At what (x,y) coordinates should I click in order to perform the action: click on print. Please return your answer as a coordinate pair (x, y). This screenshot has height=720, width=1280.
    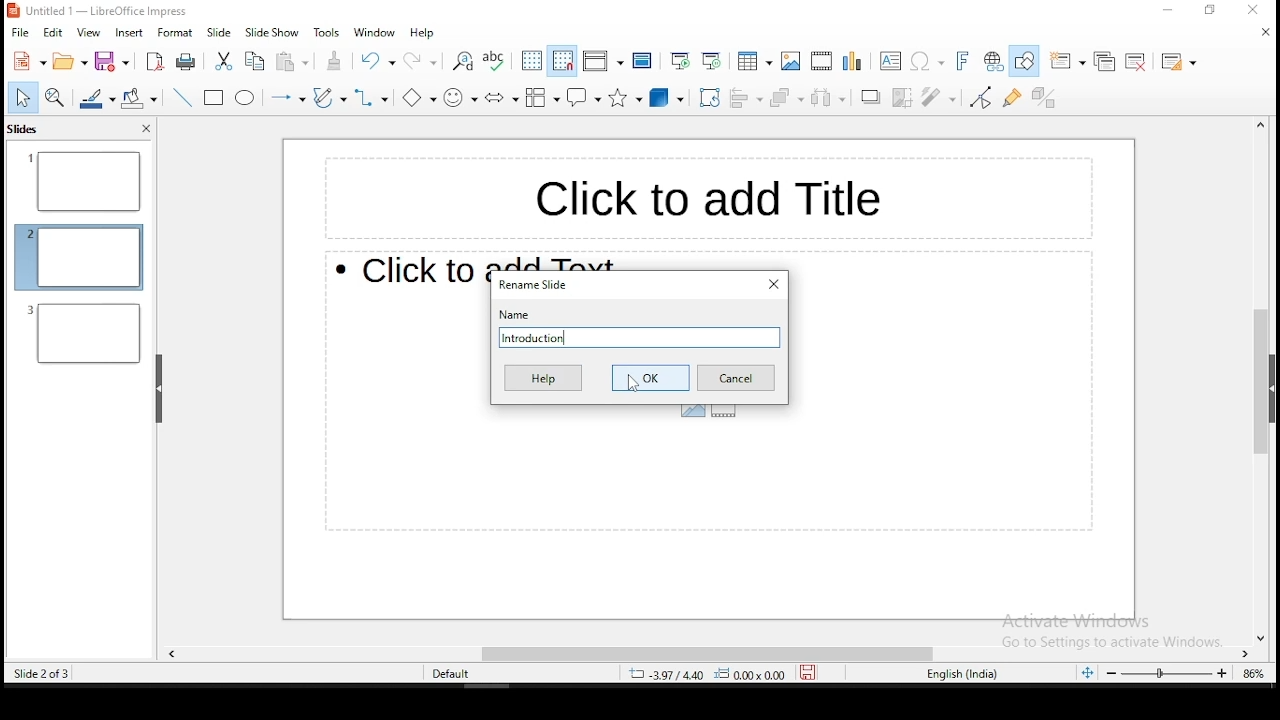
    Looking at the image, I should click on (185, 60).